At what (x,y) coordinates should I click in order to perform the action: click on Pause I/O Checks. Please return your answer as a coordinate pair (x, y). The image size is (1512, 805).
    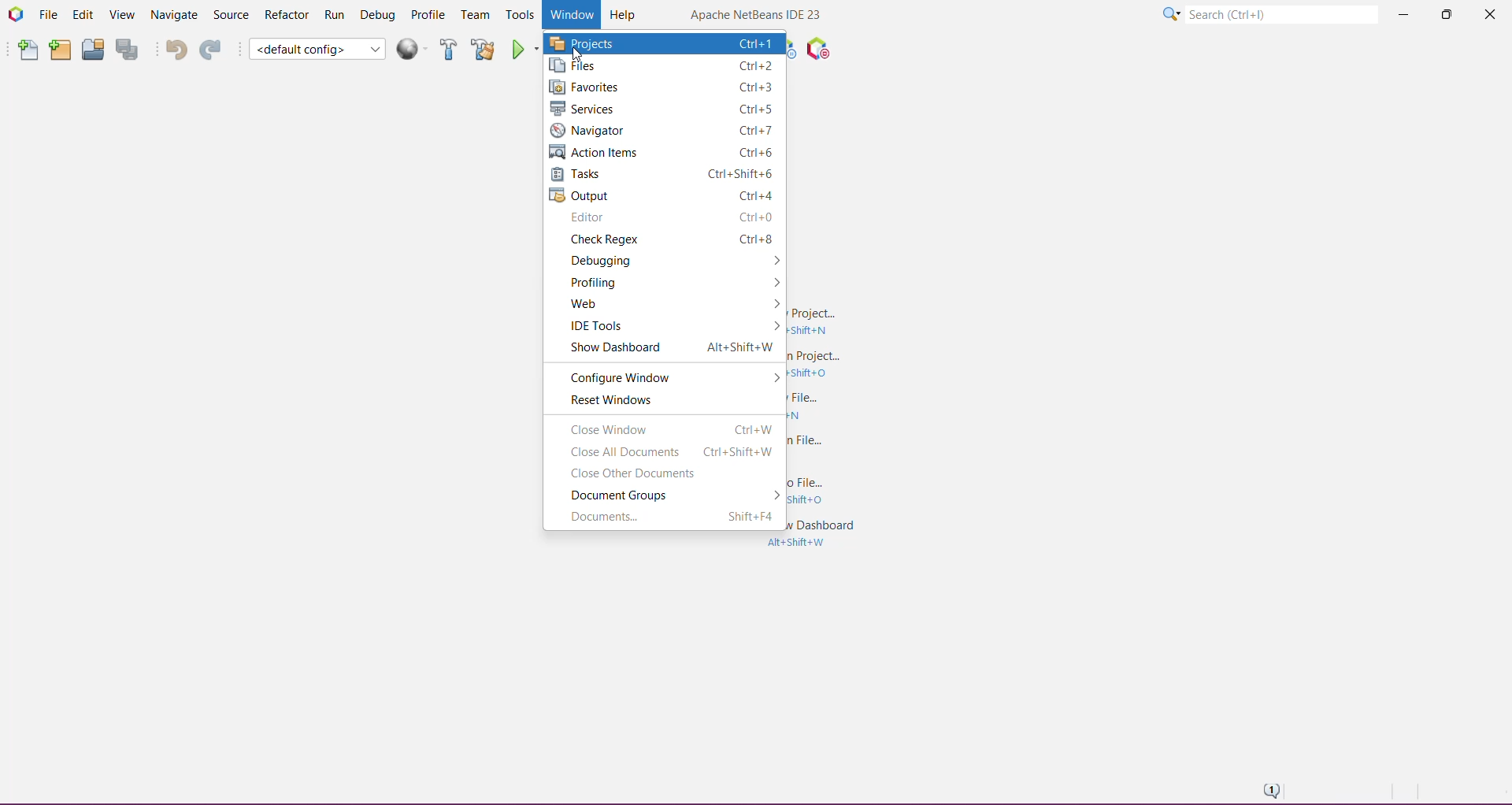
    Looking at the image, I should click on (817, 49).